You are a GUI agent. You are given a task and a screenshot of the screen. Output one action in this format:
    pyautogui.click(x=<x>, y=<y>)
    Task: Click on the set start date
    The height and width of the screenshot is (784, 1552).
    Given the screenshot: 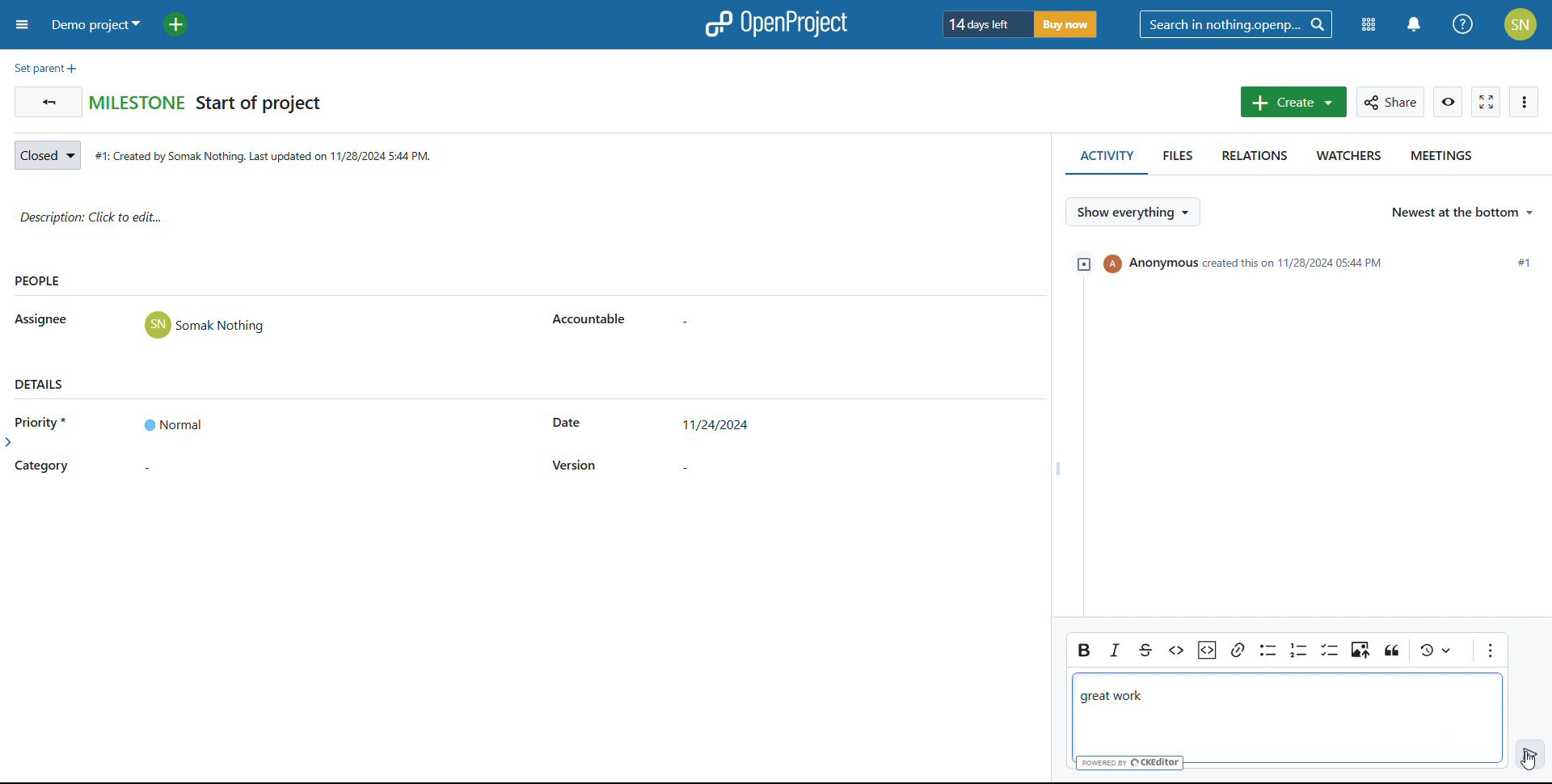 What is the action you would take?
    pyautogui.click(x=719, y=427)
    